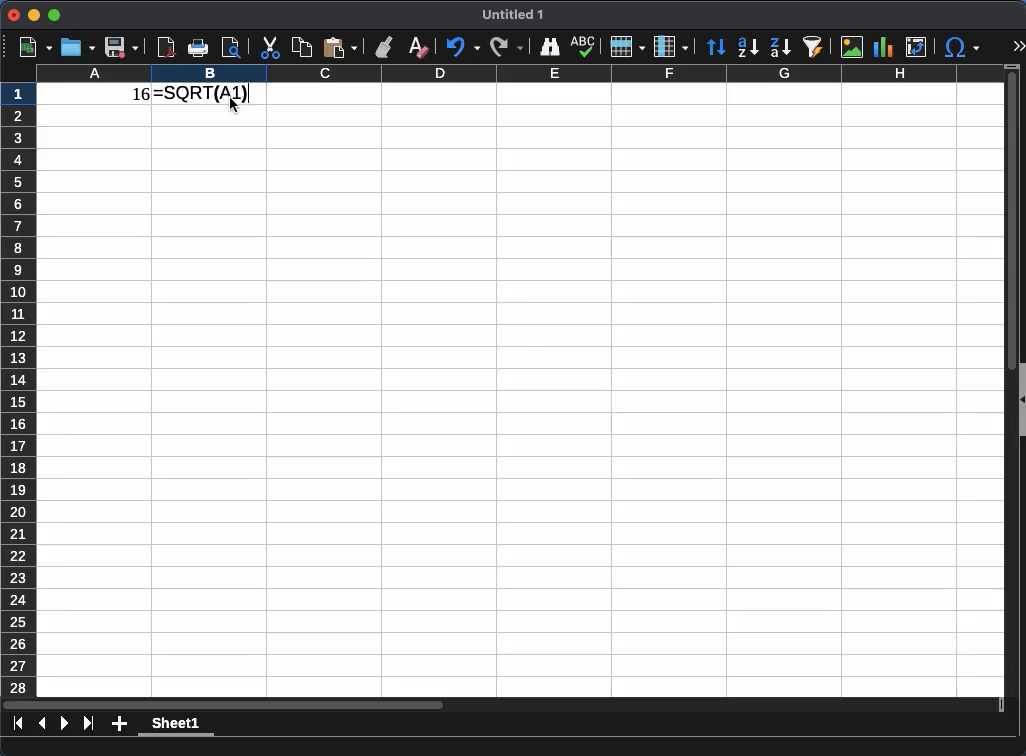 This screenshot has height=756, width=1026. What do you see at coordinates (42, 724) in the screenshot?
I see `previous sheet` at bounding box center [42, 724].